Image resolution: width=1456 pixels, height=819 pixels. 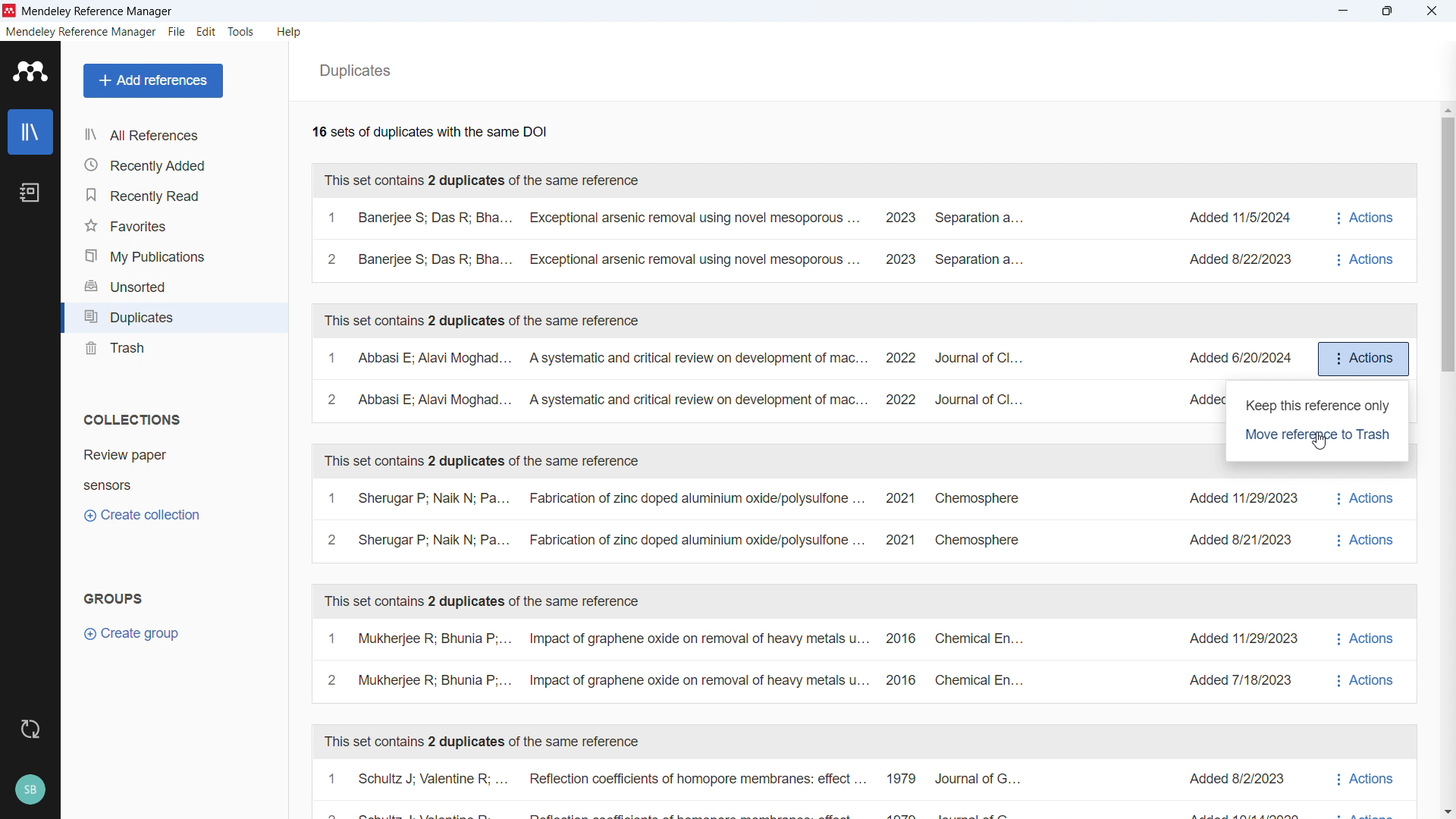 What do you see at coordinates (1367, 661) in the screenshot?
I see `actions` at bounding box center [1367, 661].